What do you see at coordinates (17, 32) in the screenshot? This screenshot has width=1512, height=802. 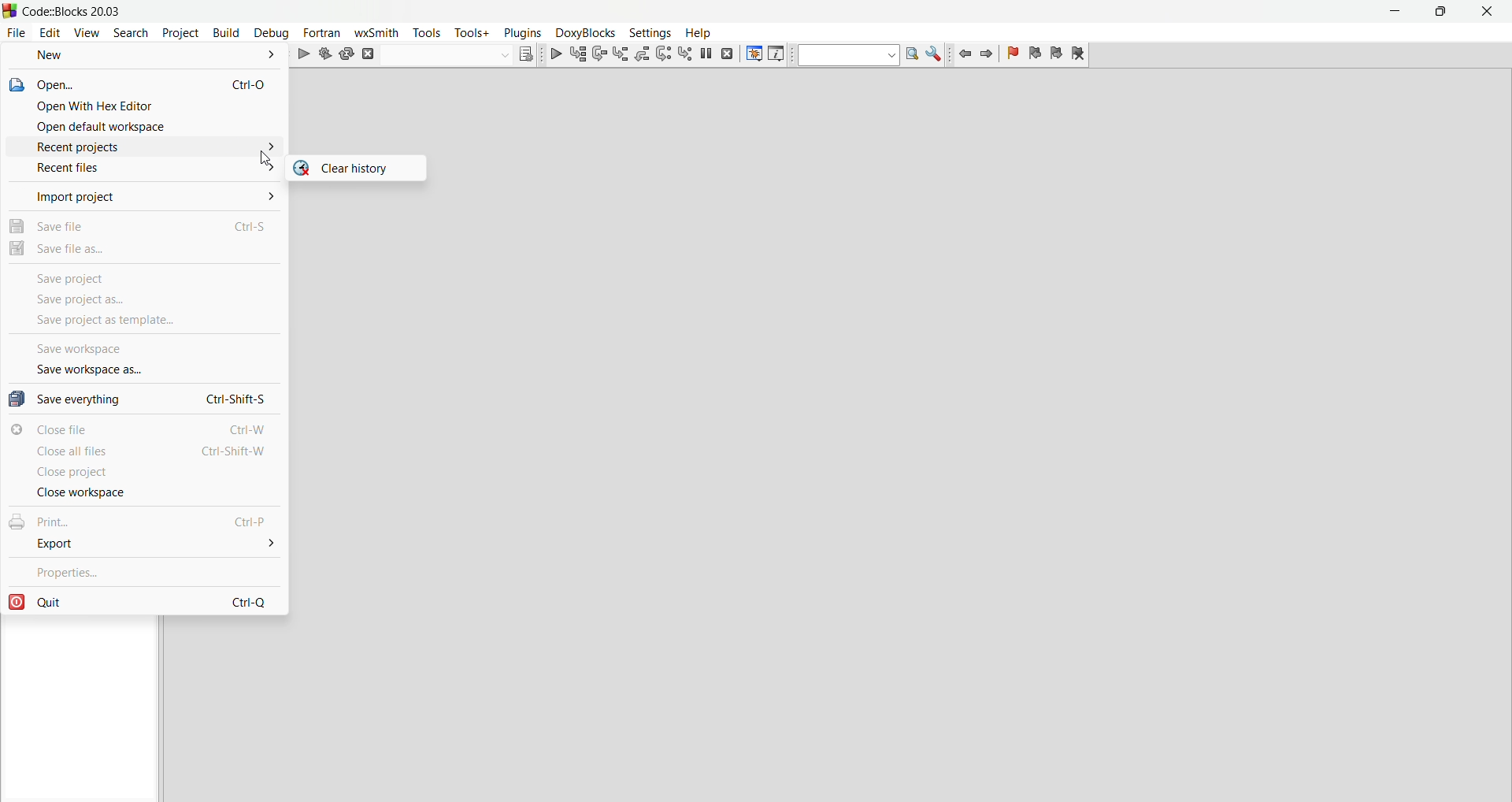 I see `file` at bounding box center [17, 32].